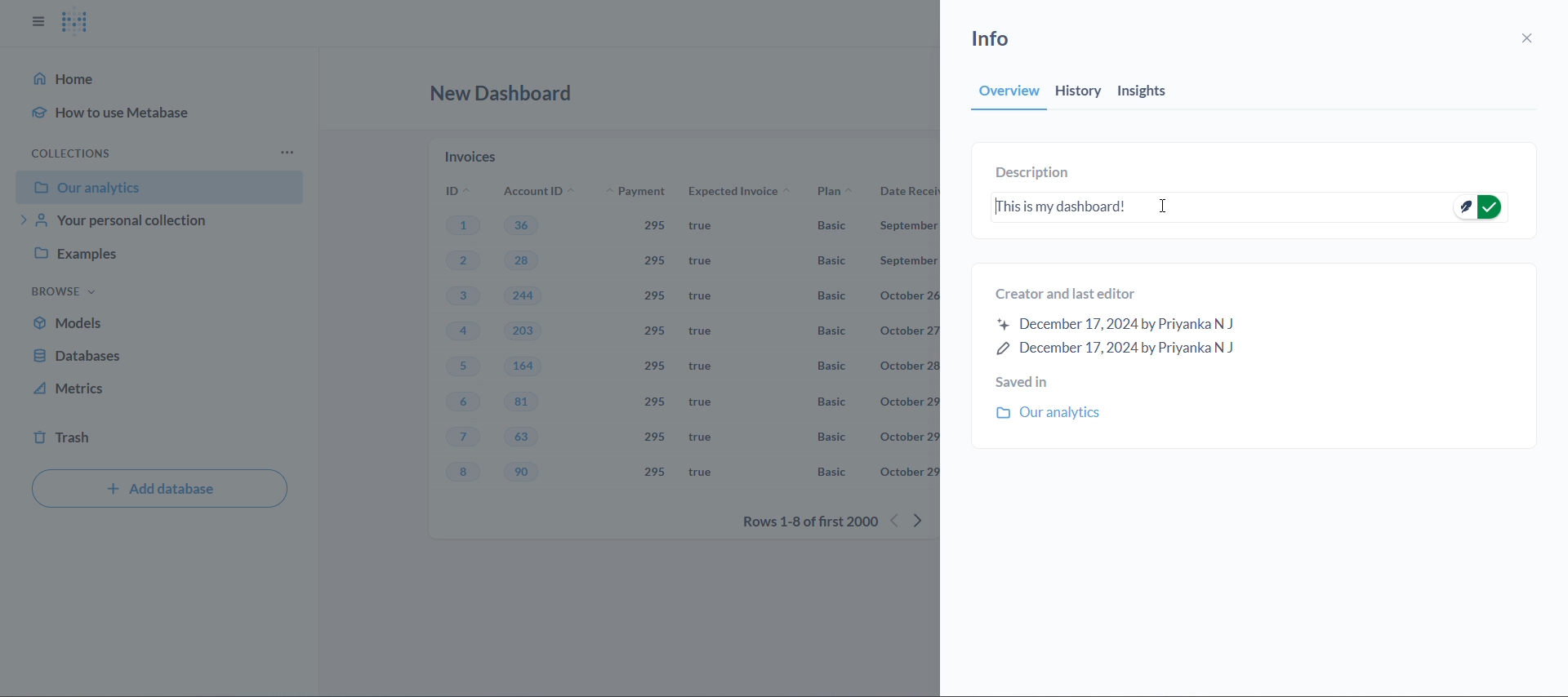 This screenshot has height=697, width=1568. Describe the element at coordinates (907, 402) in the screenshot. I see `october 29` at that location.